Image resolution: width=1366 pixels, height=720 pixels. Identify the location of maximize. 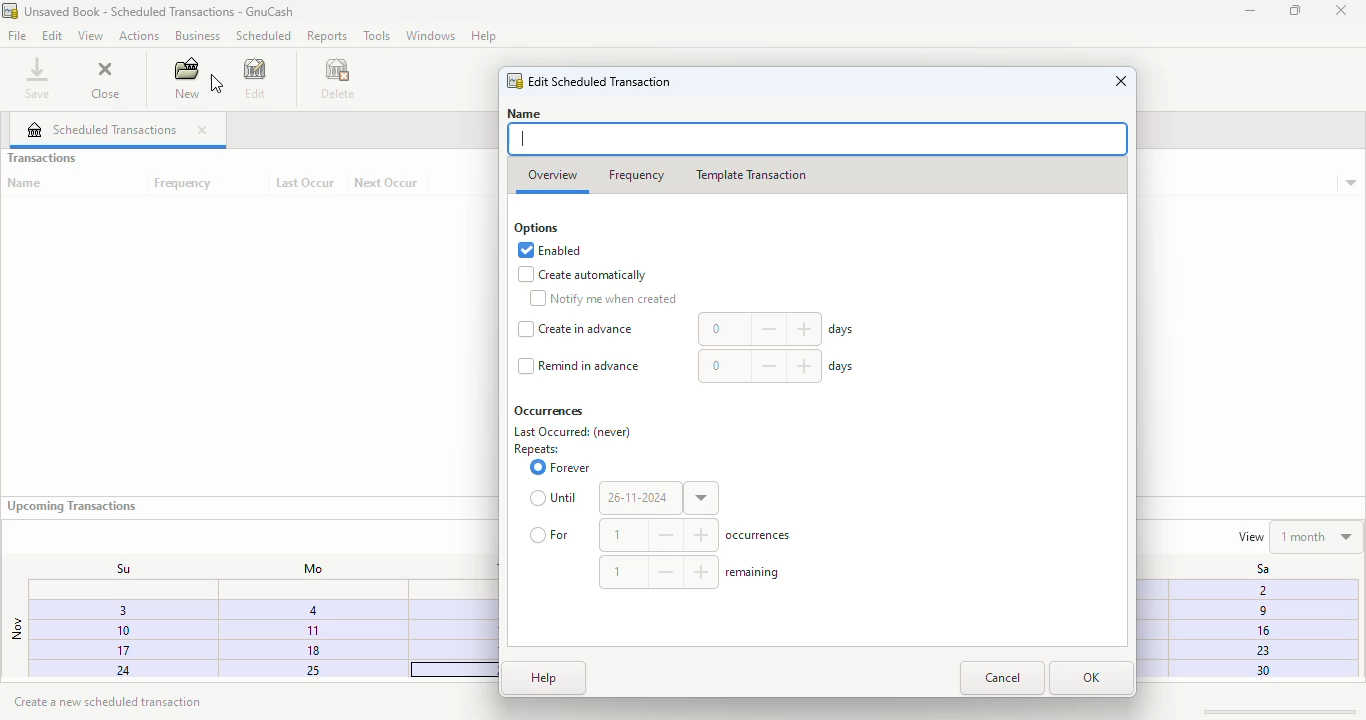
(1295, 10).